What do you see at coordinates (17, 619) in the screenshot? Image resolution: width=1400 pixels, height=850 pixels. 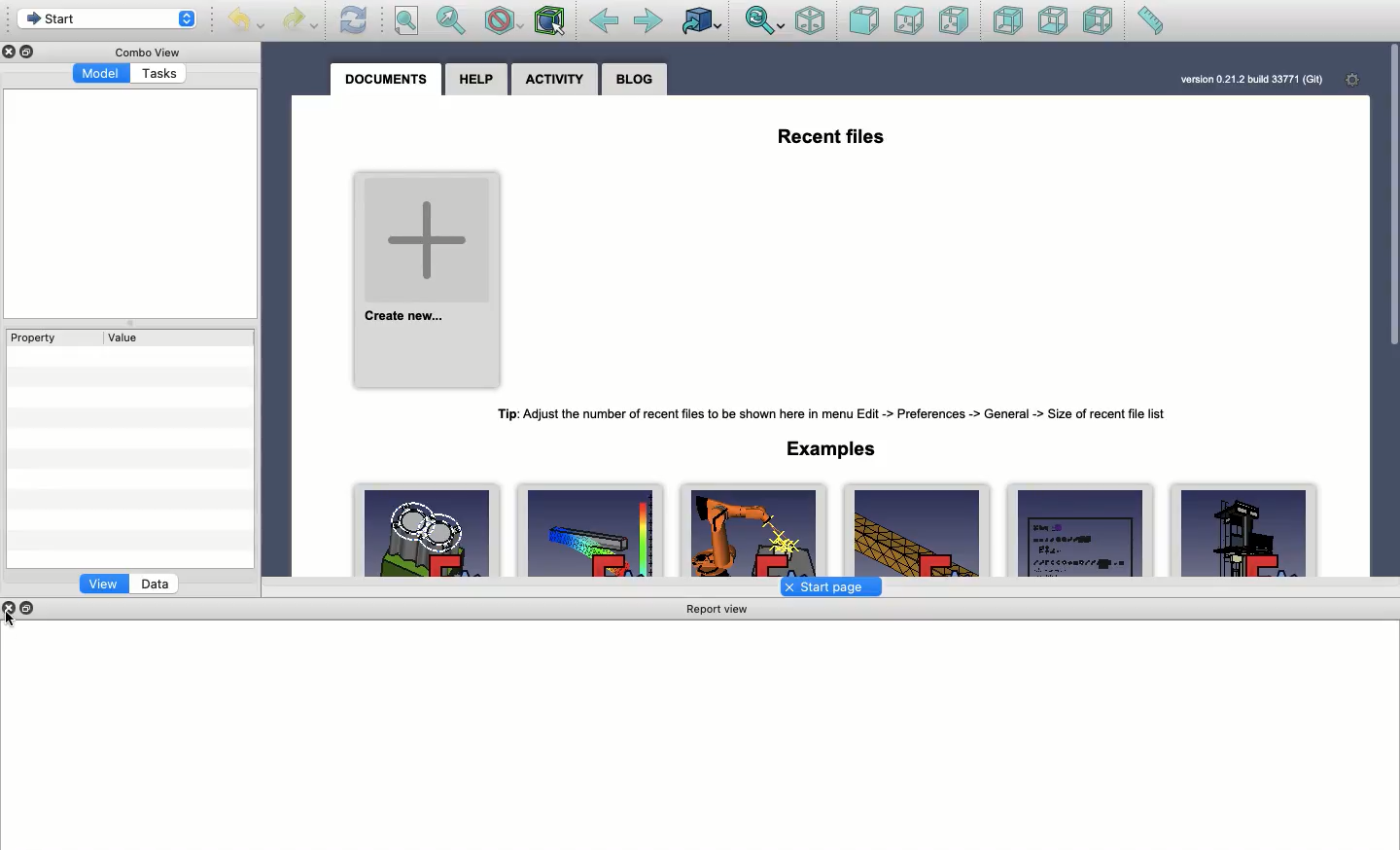 I see `Click` at bounding box center [17, 619].